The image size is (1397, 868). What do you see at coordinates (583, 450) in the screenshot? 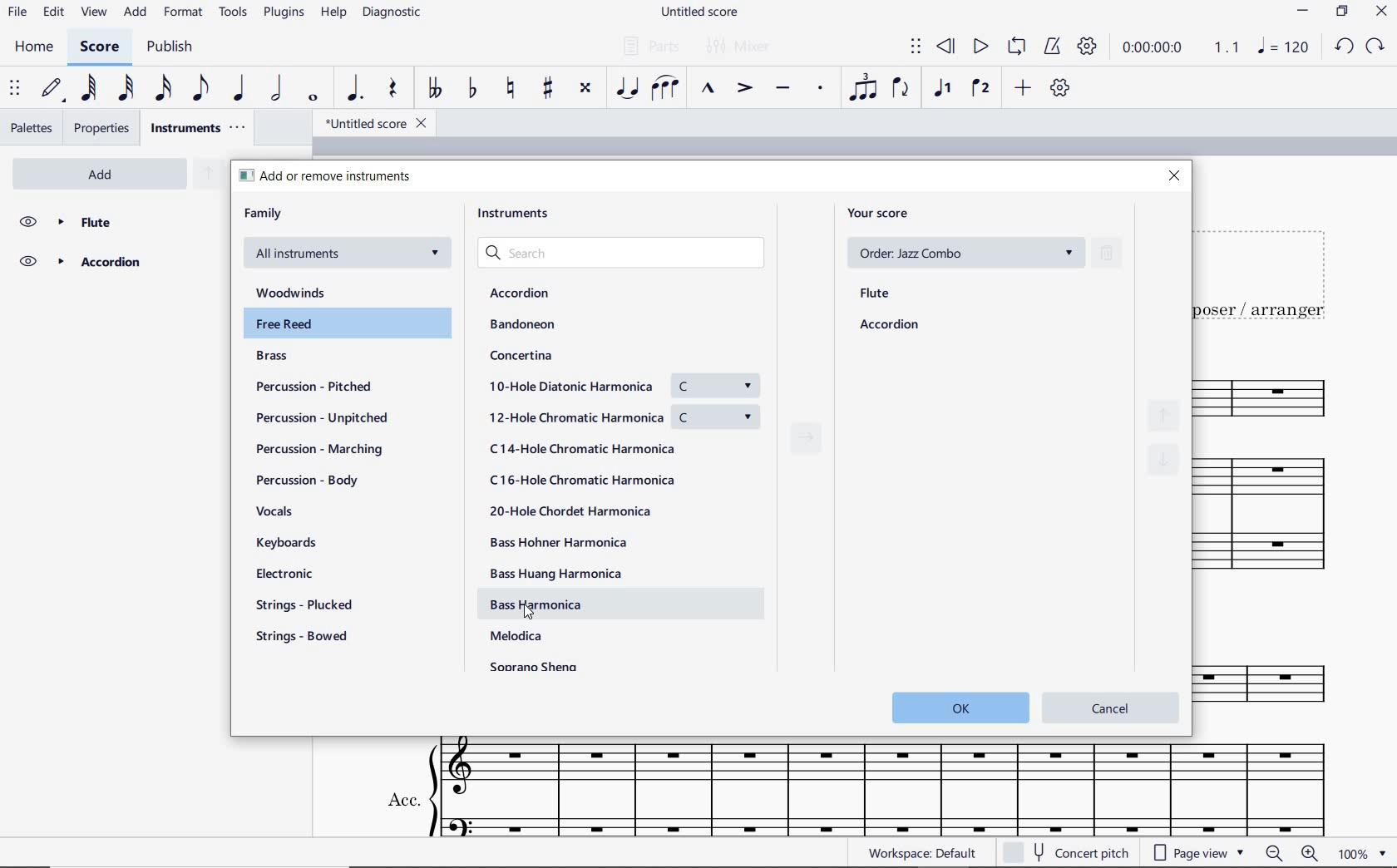
I see `C14-Hole Chromatic Harmonica` at bounding box center [583, 450].